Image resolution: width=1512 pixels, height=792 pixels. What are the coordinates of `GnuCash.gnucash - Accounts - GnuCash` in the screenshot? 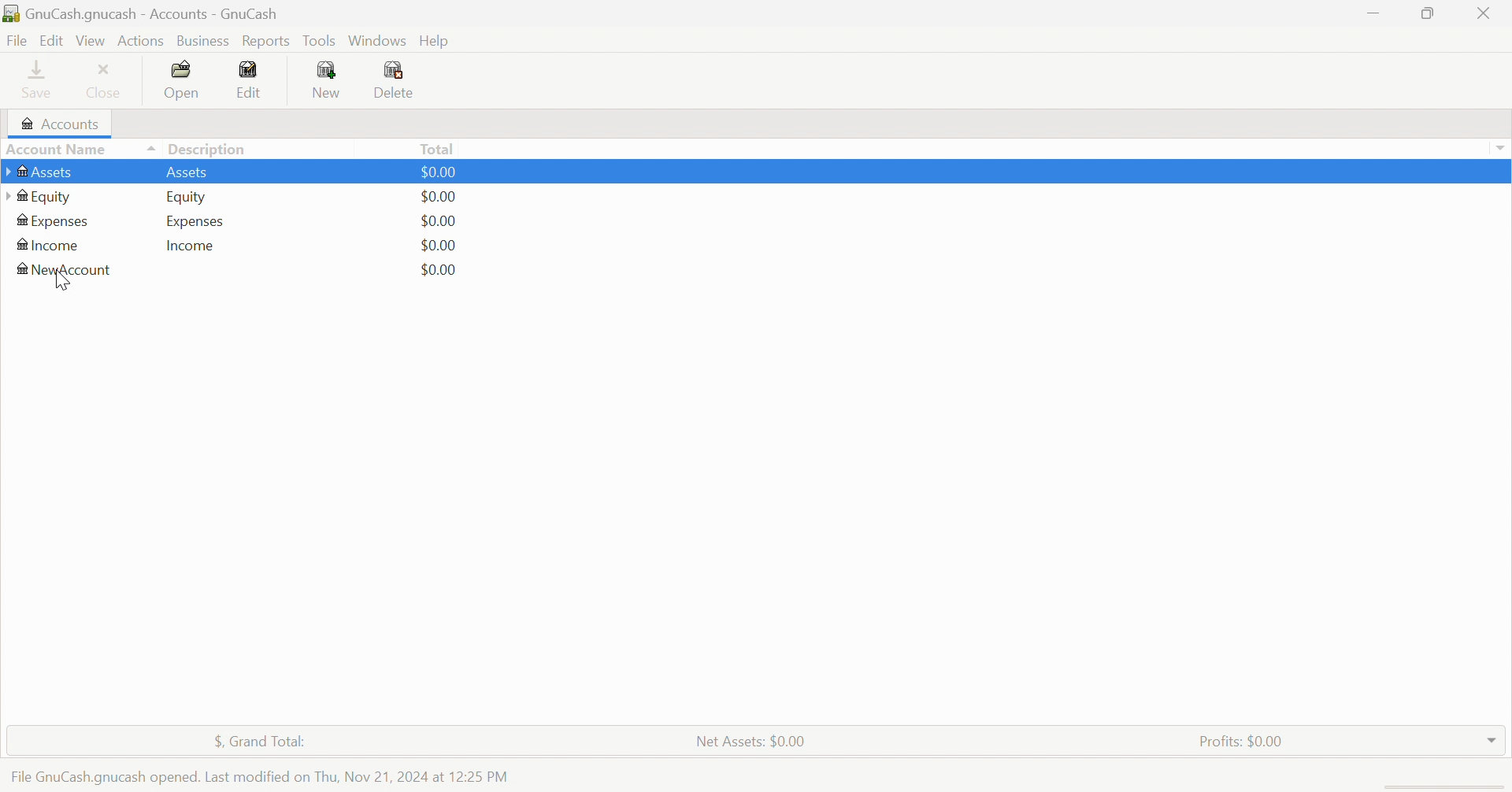 It's located at (146, 14).